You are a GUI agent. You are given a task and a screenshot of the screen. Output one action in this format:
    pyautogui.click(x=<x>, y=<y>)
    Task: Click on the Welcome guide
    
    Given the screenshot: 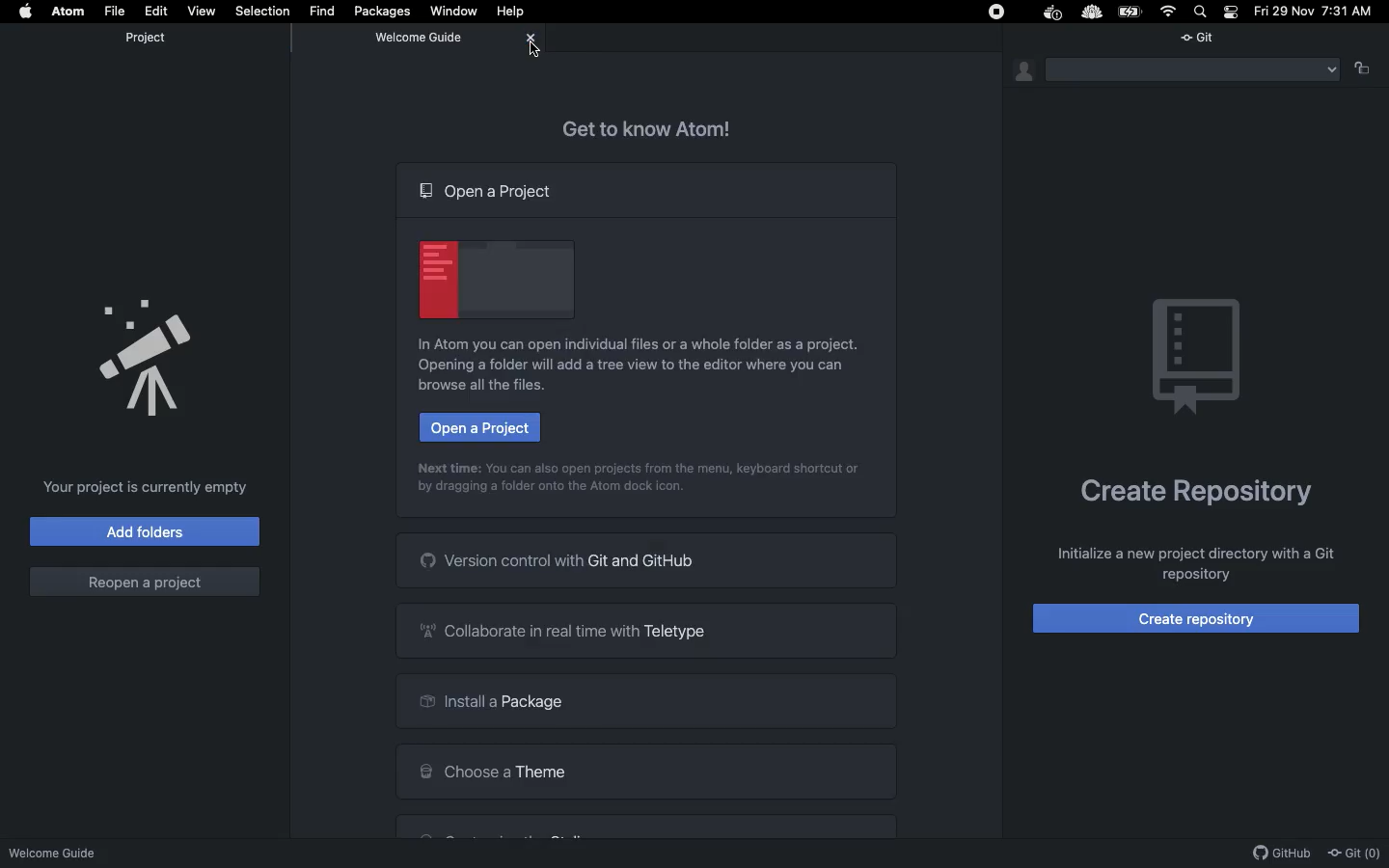 What is the action you would take?
    pyautogui.click(x=62, y=852)
    